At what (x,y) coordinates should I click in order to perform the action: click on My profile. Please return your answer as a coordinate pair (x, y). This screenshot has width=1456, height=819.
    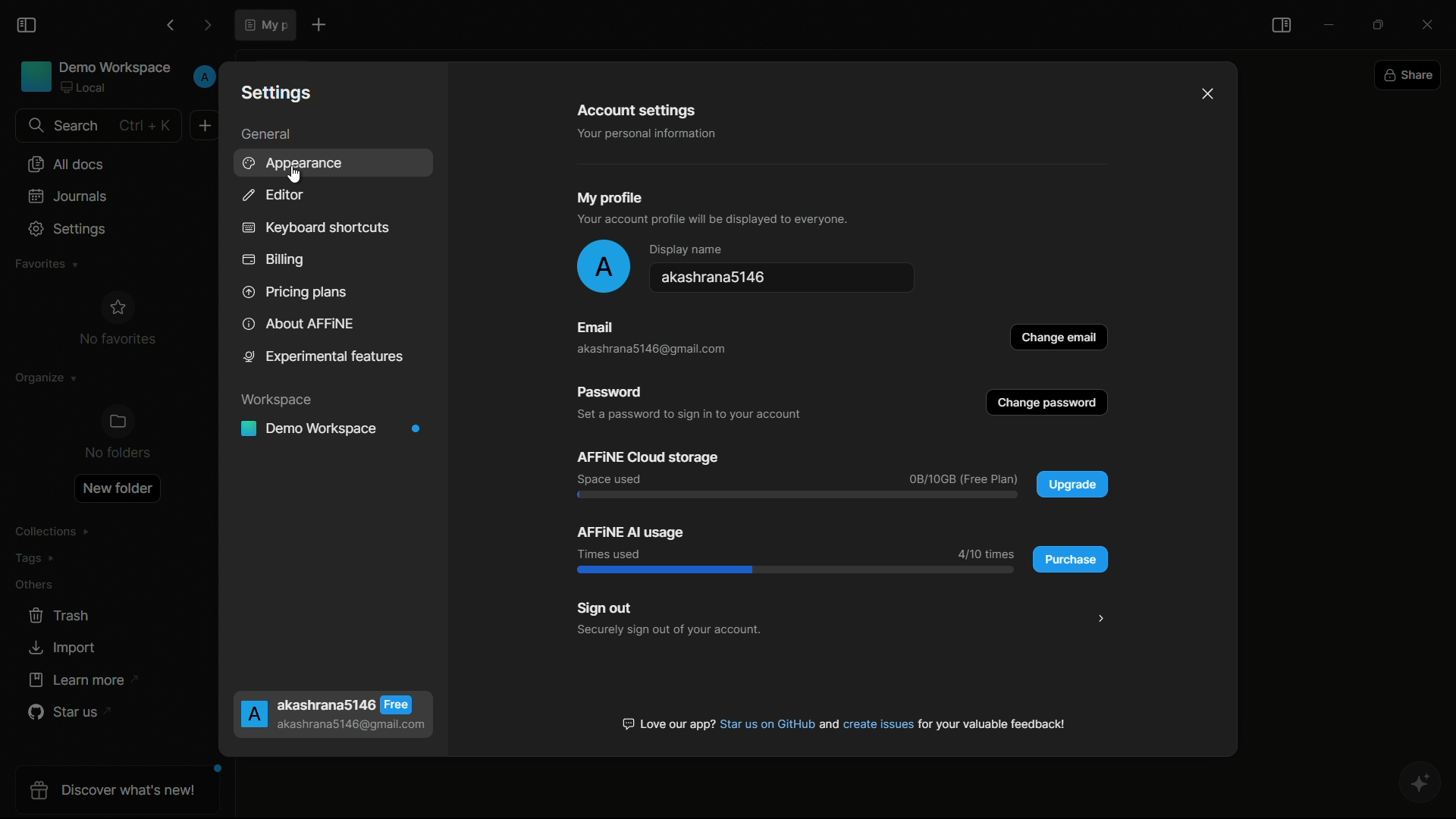
    Looking at the image, I should click on (610, 194).